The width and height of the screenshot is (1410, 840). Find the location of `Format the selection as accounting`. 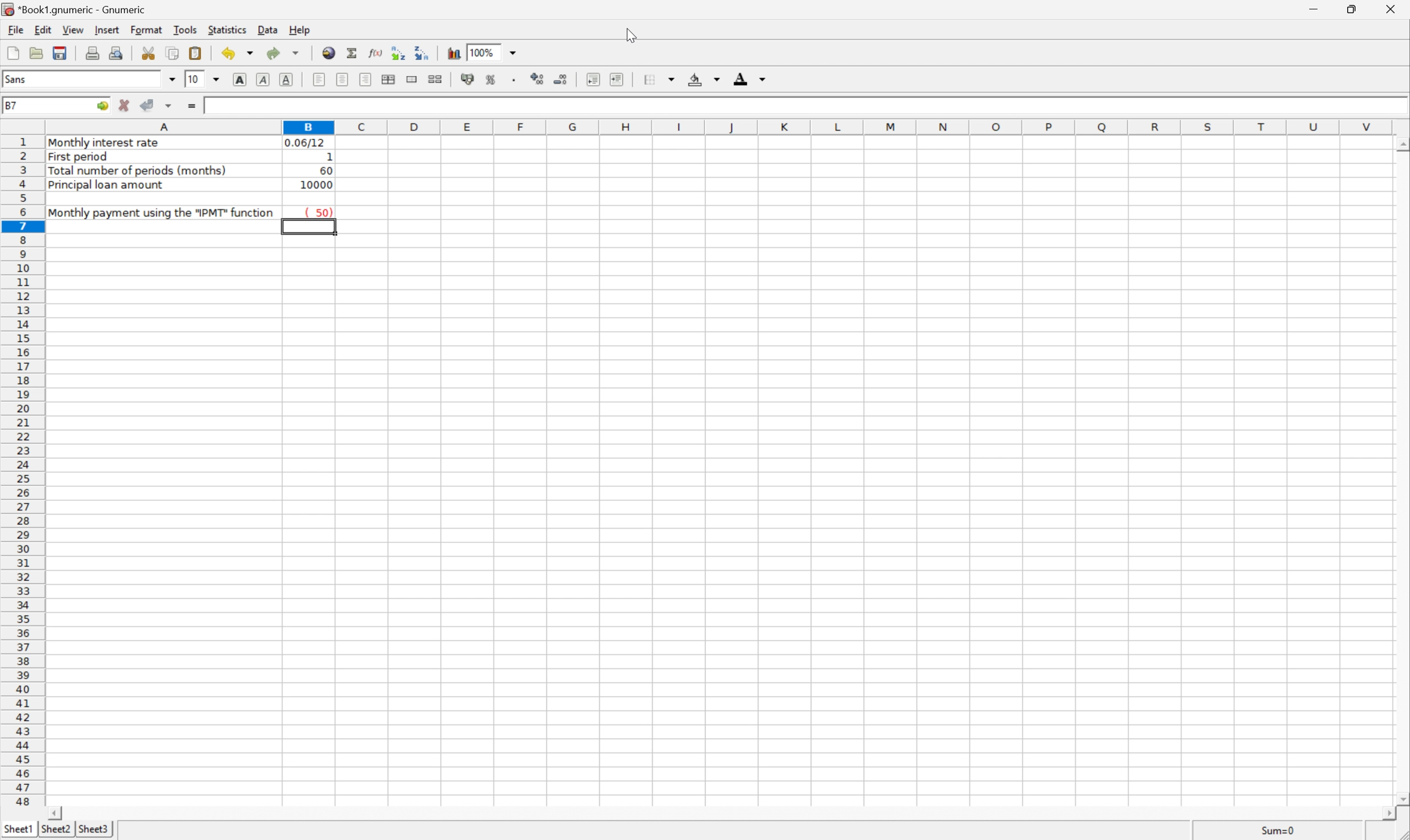

Format the selection as accounting is located at coordinates (468, 79).